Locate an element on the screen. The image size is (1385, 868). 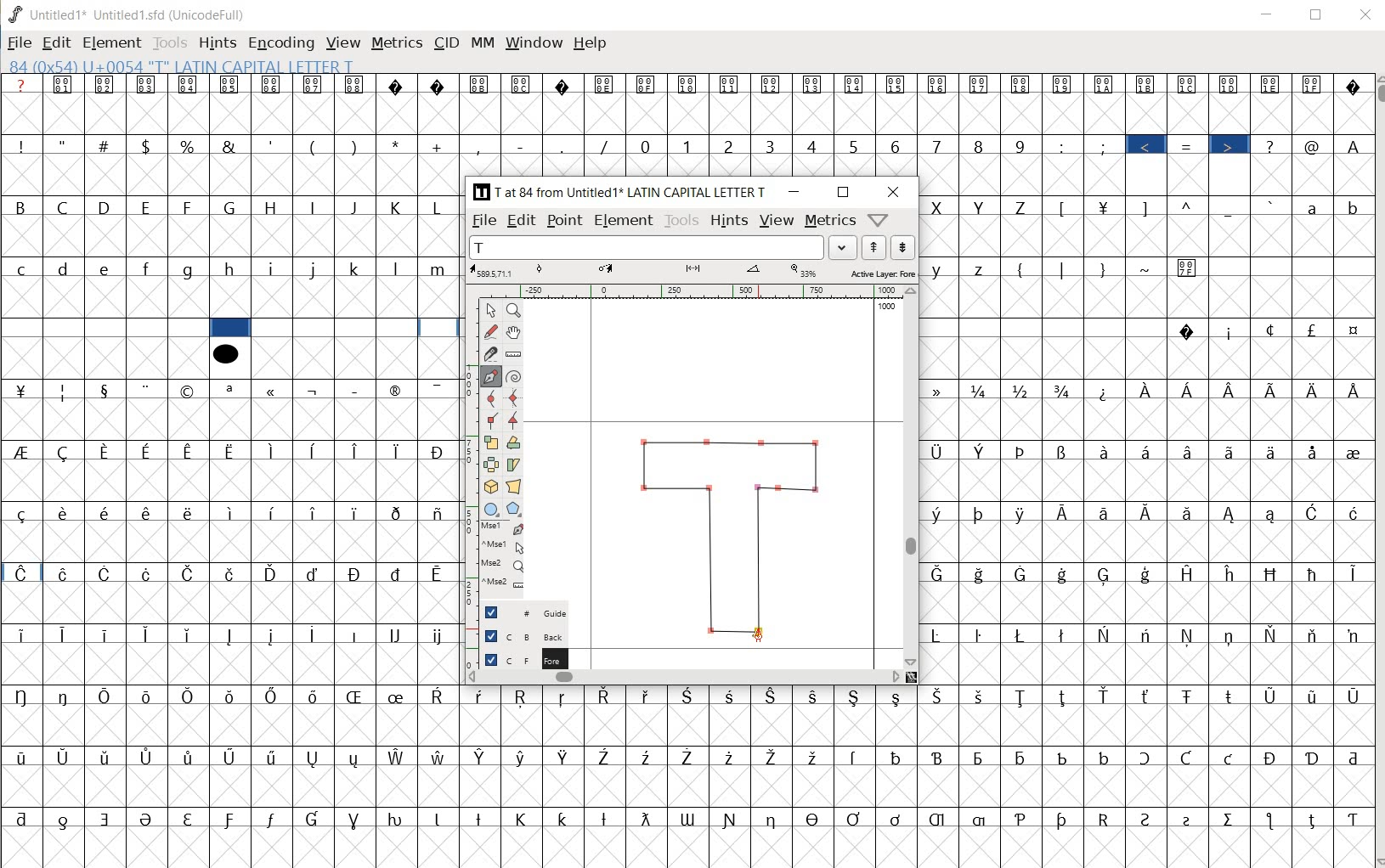
guide layer is located at coordinates (524, 612).